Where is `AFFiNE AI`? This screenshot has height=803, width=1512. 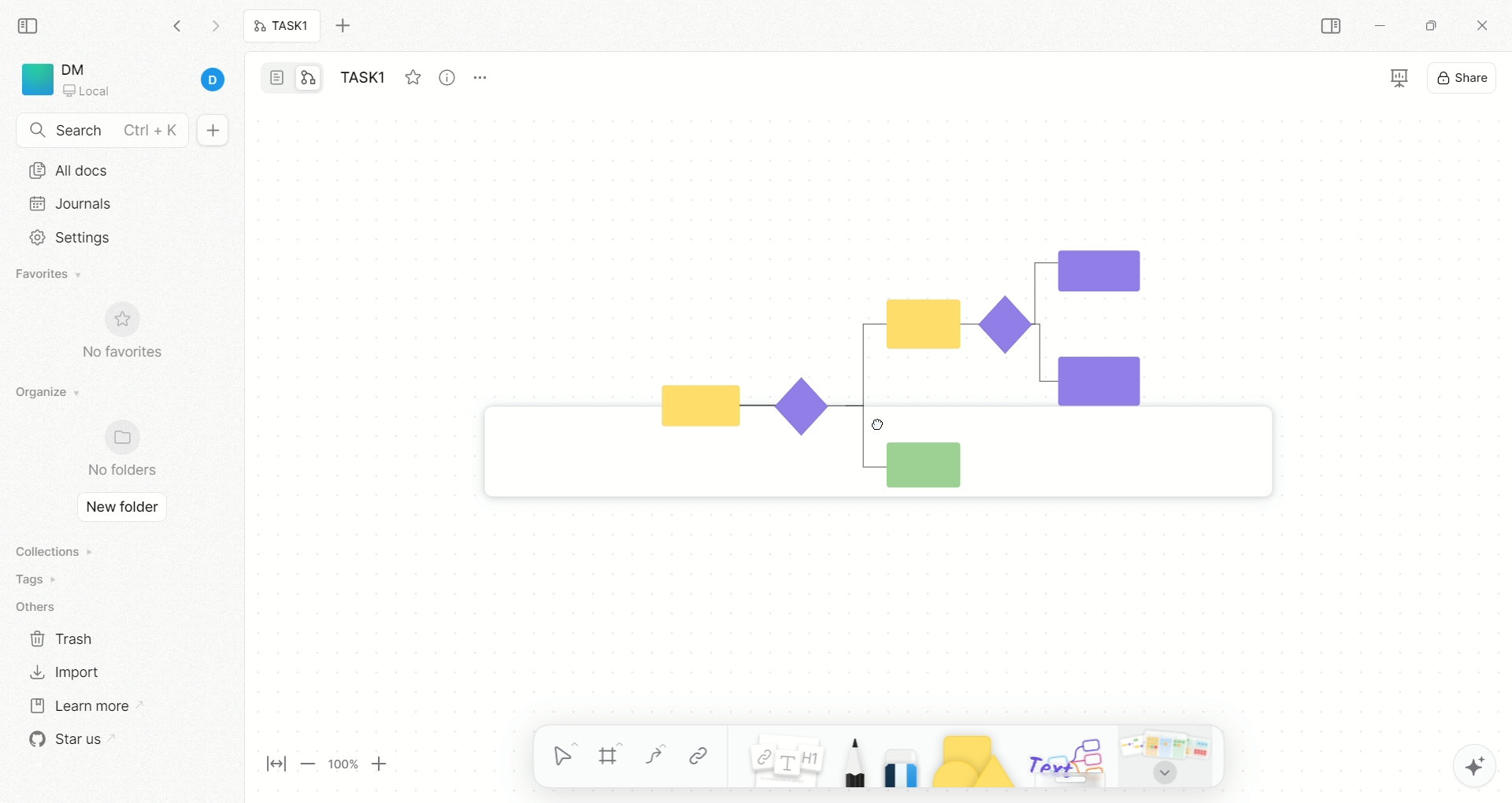 AFFiNE AI is located at coordinates (1458, 762).